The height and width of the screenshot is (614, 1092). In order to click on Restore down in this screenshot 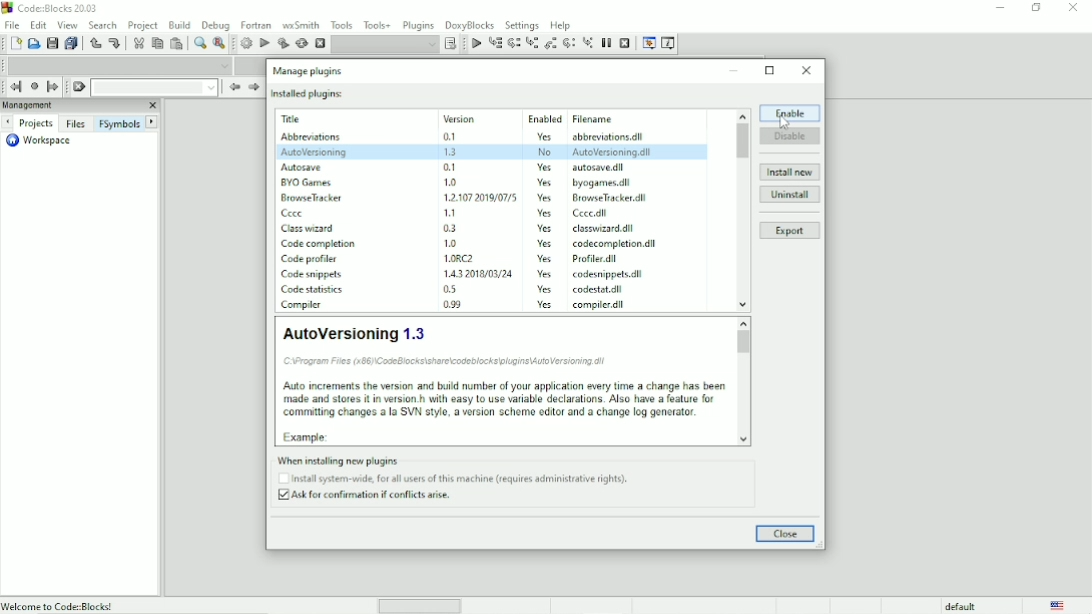, I will do `click(1037, 8)`.